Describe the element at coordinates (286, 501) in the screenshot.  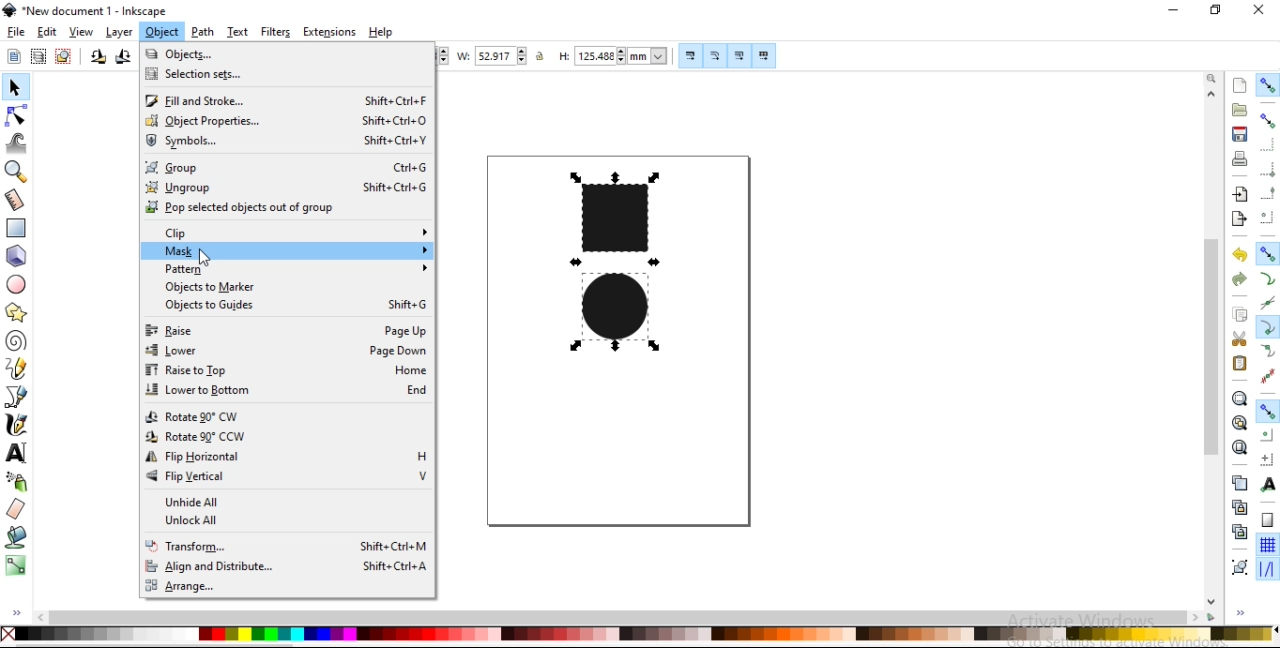
I see `unhide all` at that location.